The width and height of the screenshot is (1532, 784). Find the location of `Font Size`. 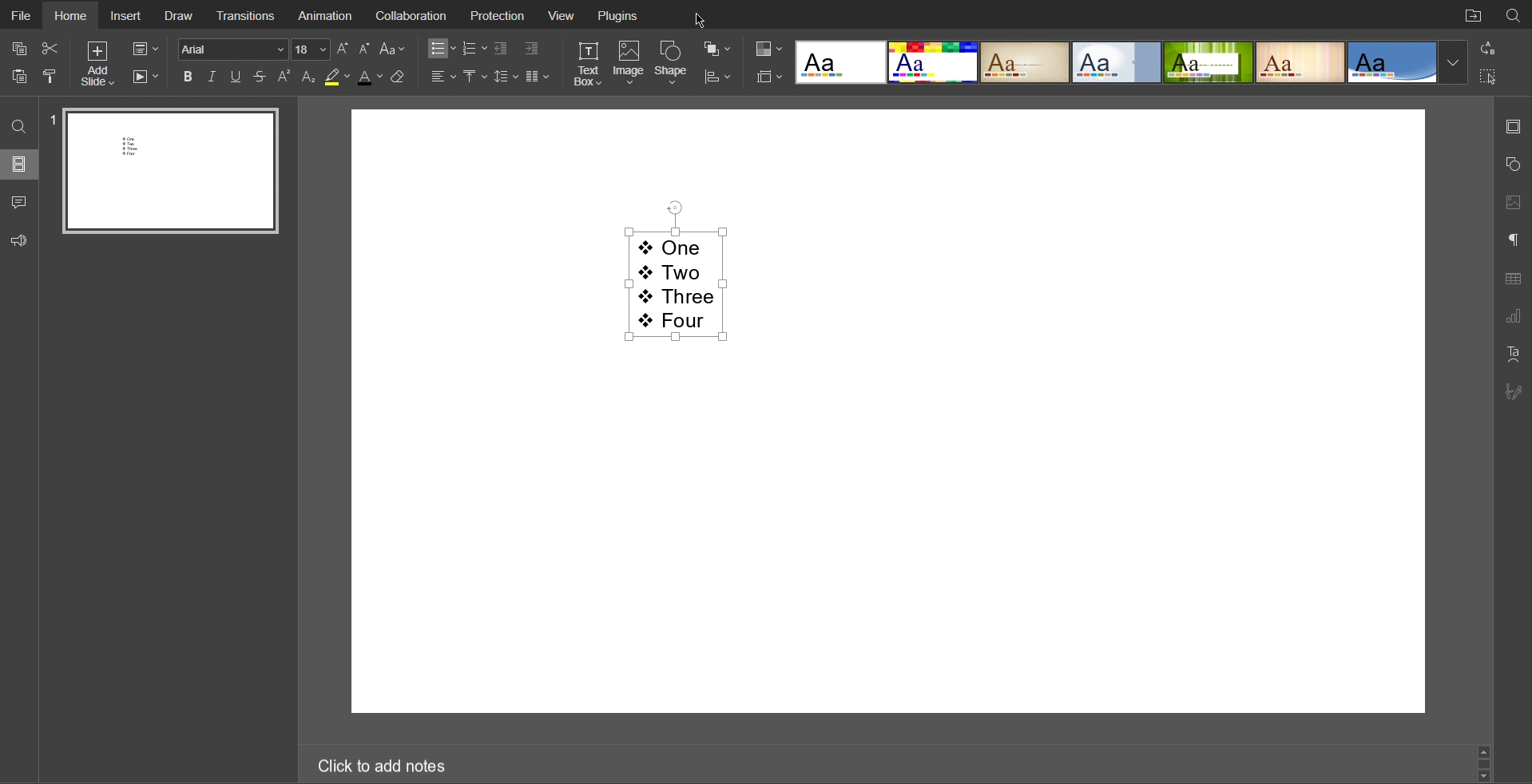

Font Size is located at coordinates (311, 49).